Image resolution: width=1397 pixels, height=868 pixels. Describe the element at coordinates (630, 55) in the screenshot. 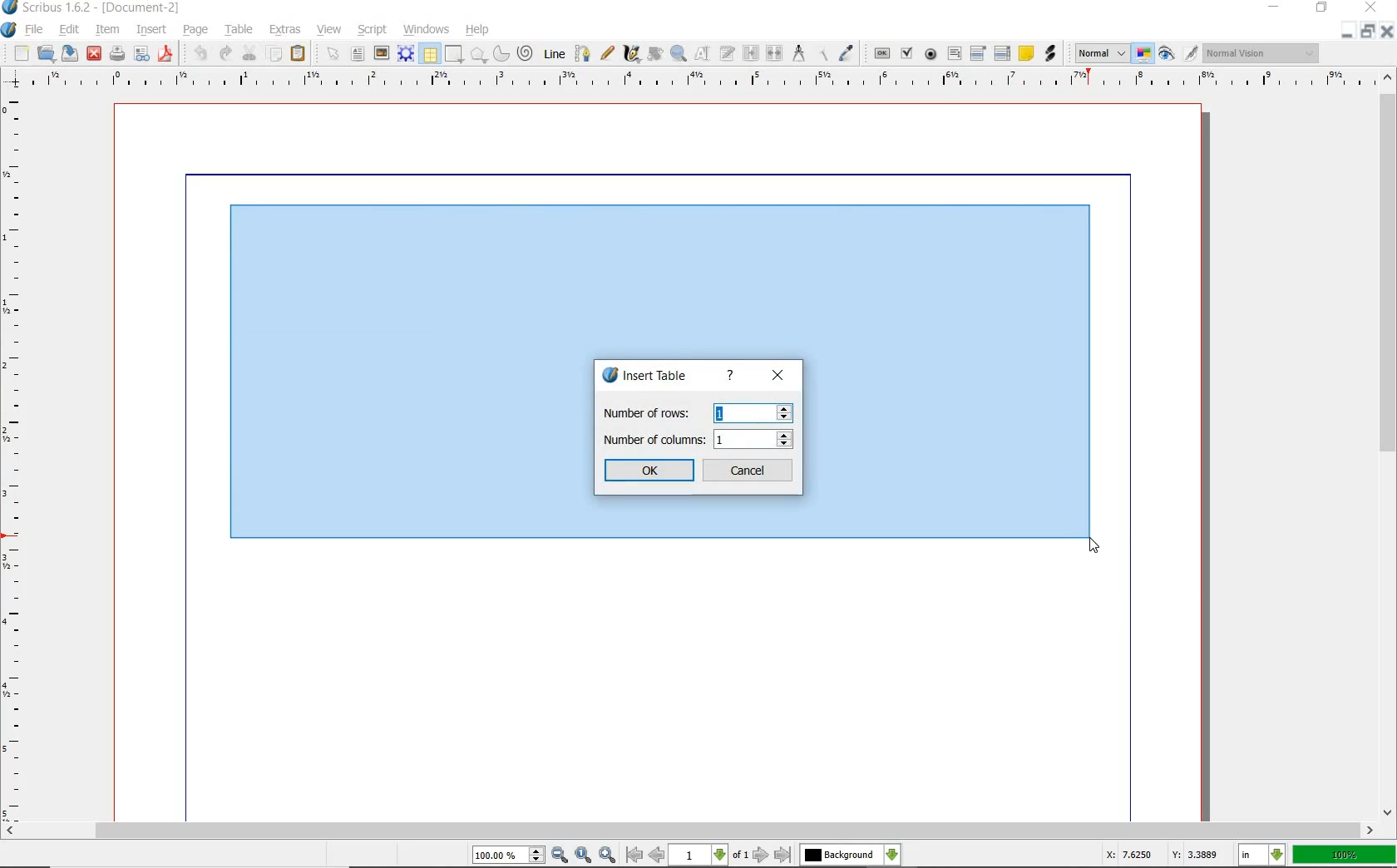

I see `calligraphic line` at that location.